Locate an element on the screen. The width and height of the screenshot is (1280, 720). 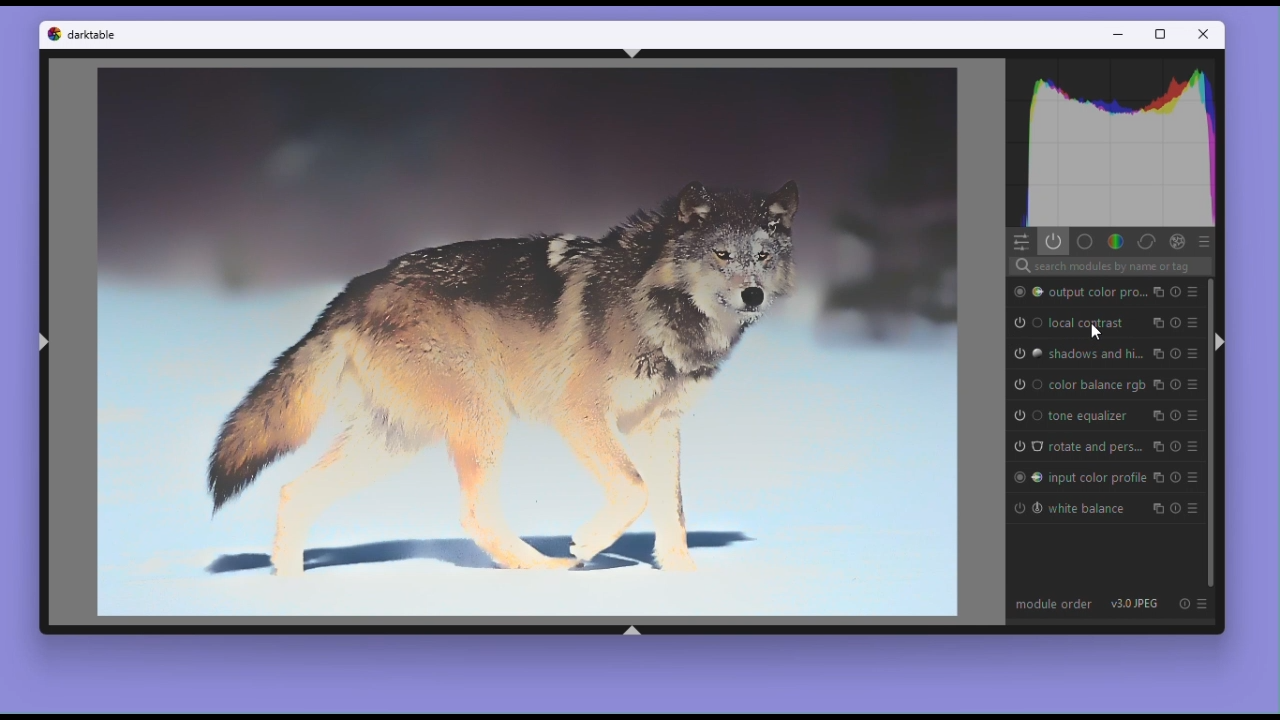
presets is located at coordinates (1191, 449).